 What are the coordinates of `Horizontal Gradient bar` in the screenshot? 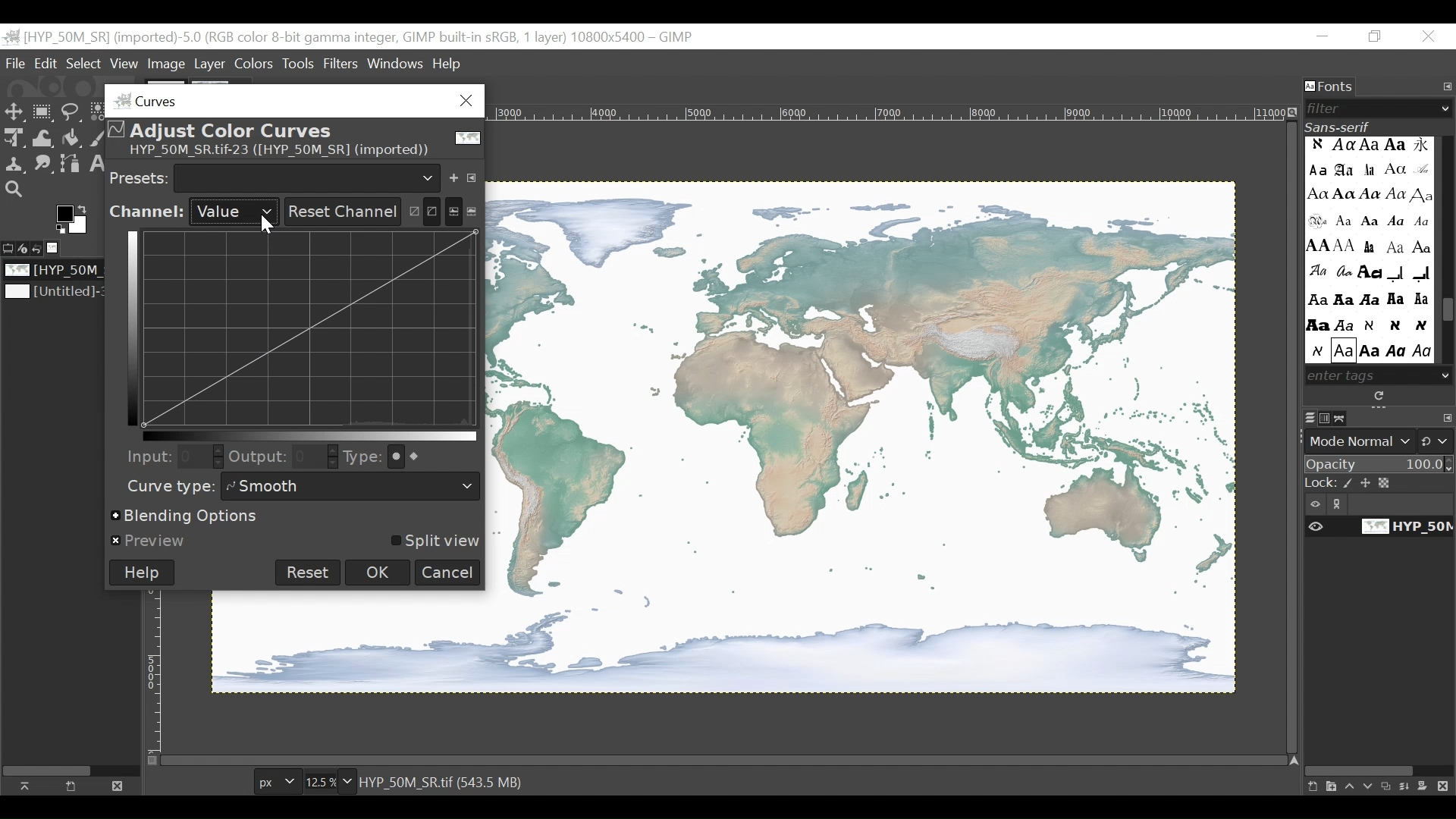 It's located at (310, 436).